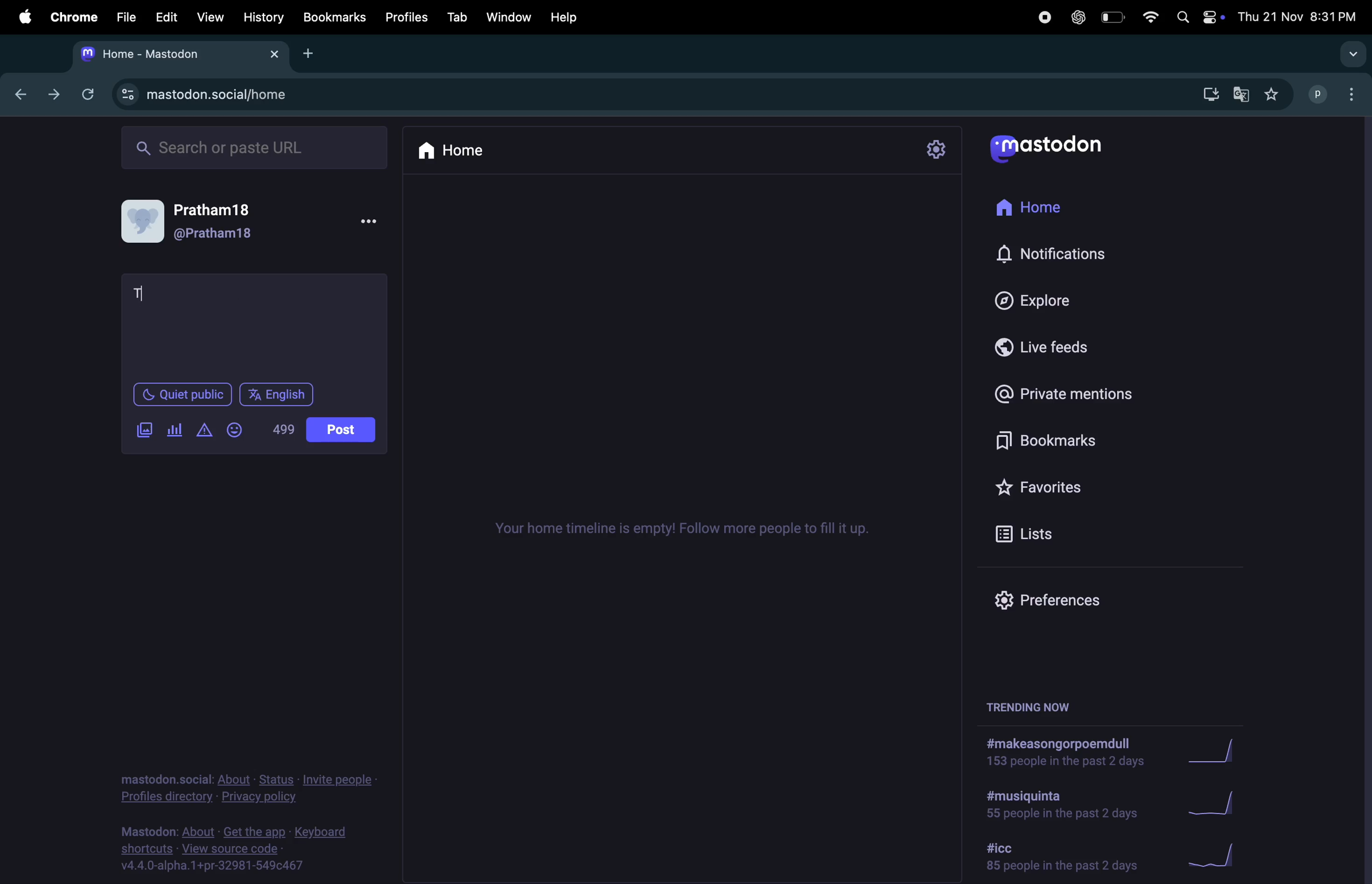  I want to click on close, so click(273, 55).